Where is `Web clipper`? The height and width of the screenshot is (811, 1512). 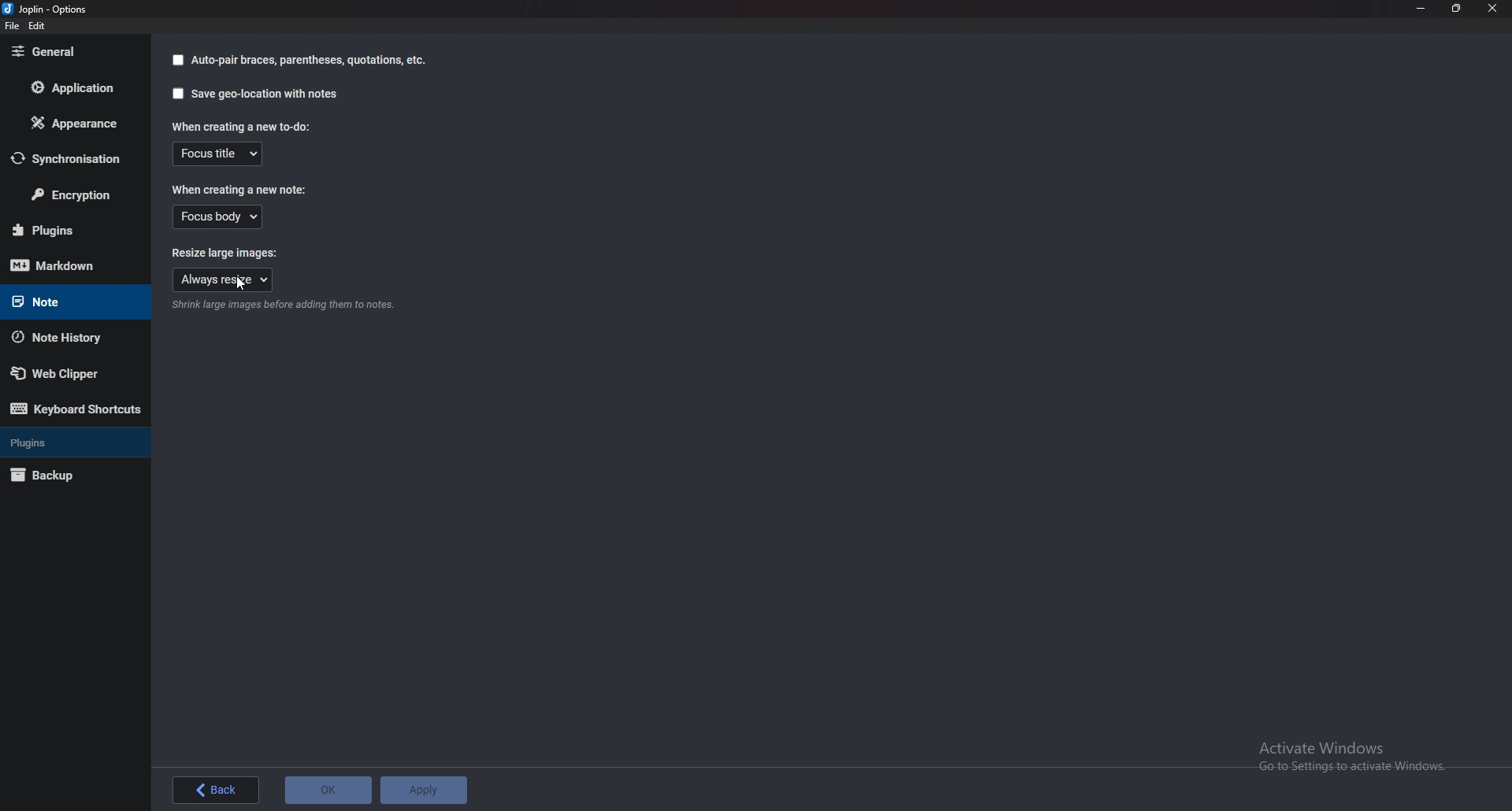 Web clipper is located at coordinates (68, 373).